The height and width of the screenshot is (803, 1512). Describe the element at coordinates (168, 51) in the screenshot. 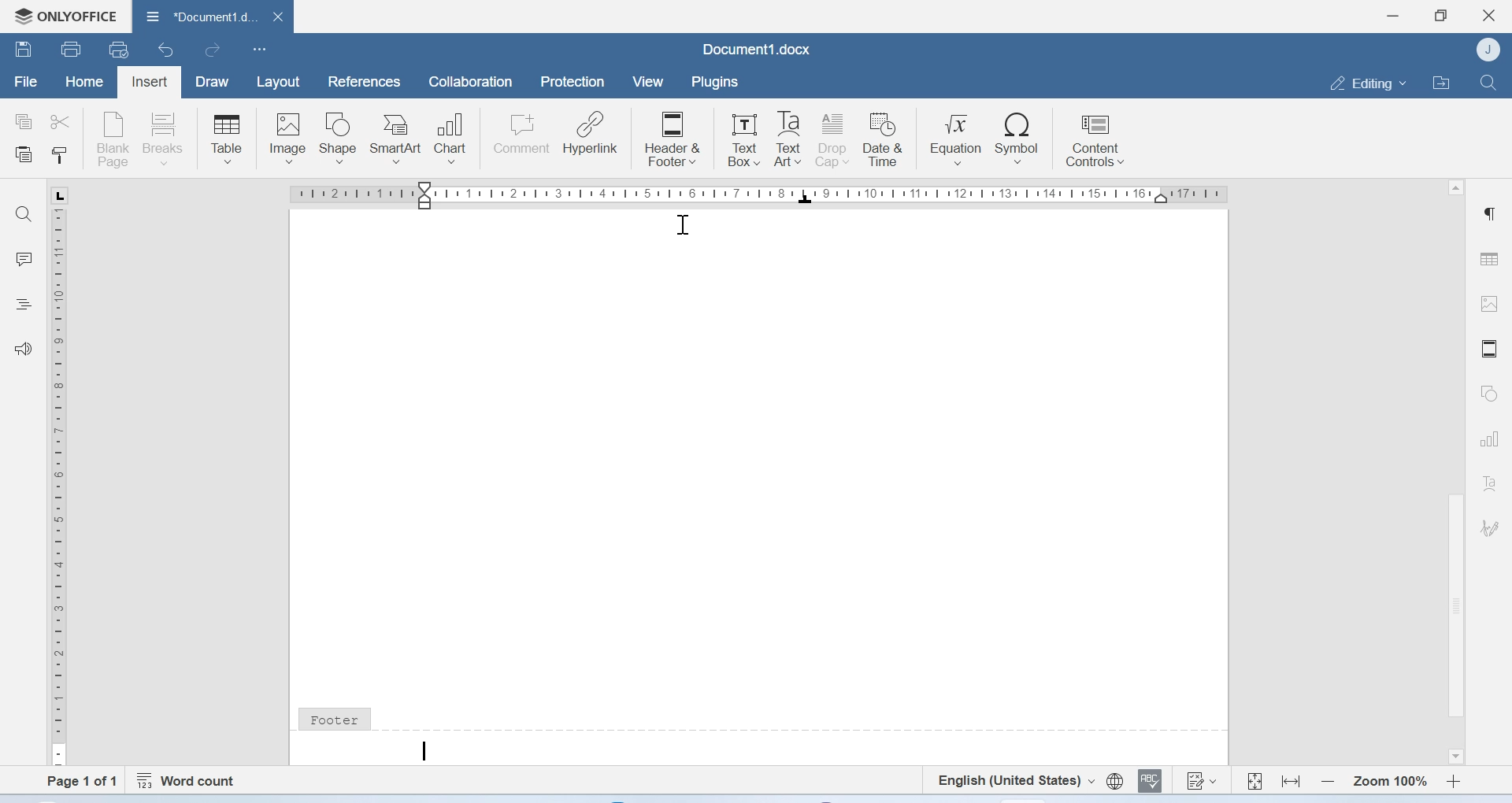

I see `Undo` at that location.